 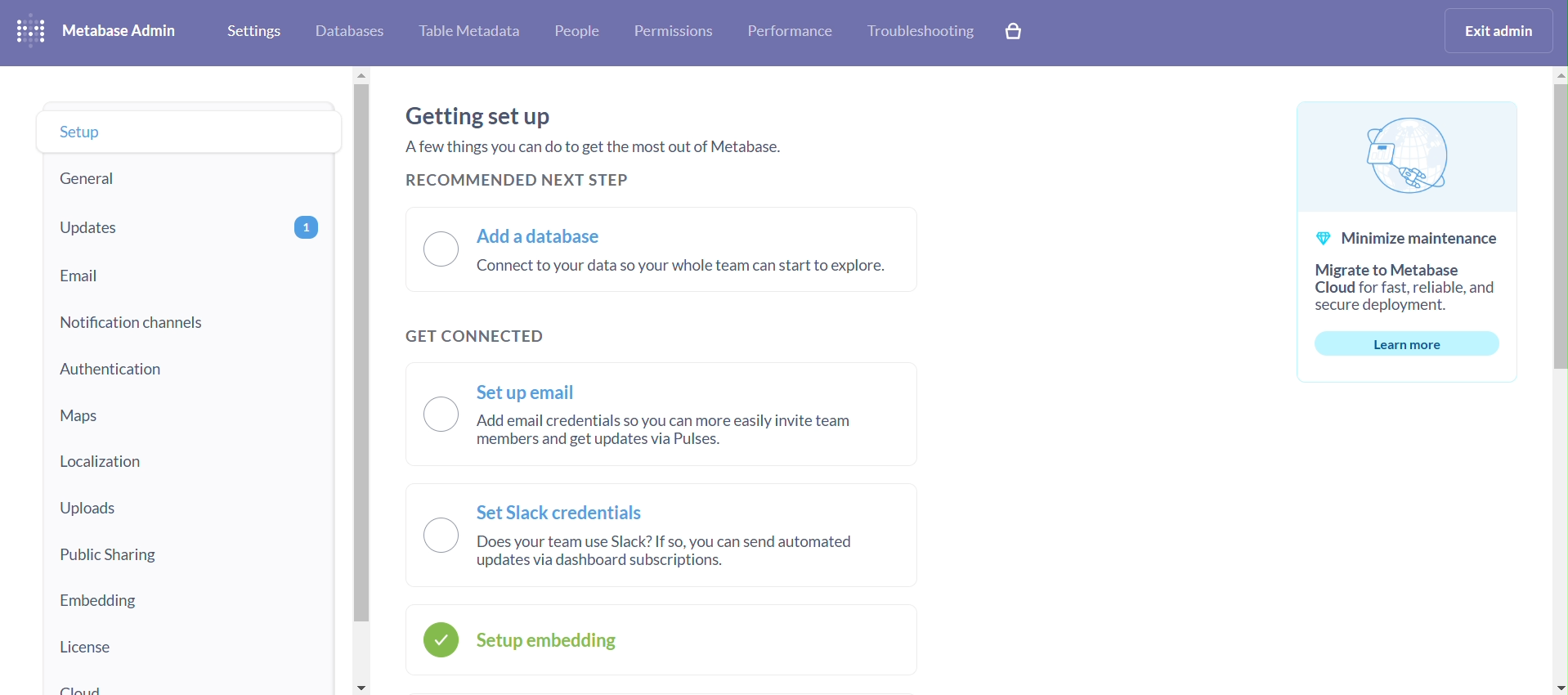 What do you see at coordinates (520, 180) in the screenshot?
I see `recommended next setp` at bounding box center [520, 180].